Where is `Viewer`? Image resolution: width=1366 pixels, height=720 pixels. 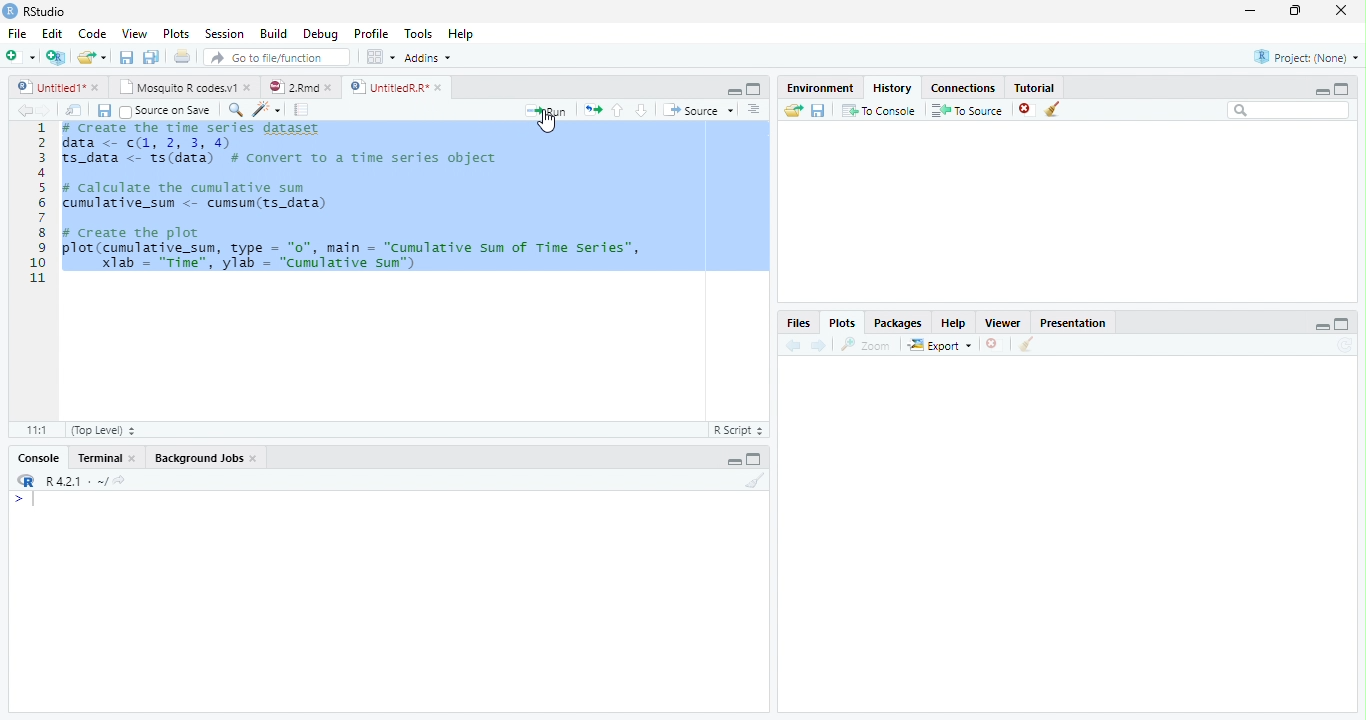 Viewer is located at coordinates (1001, 325).